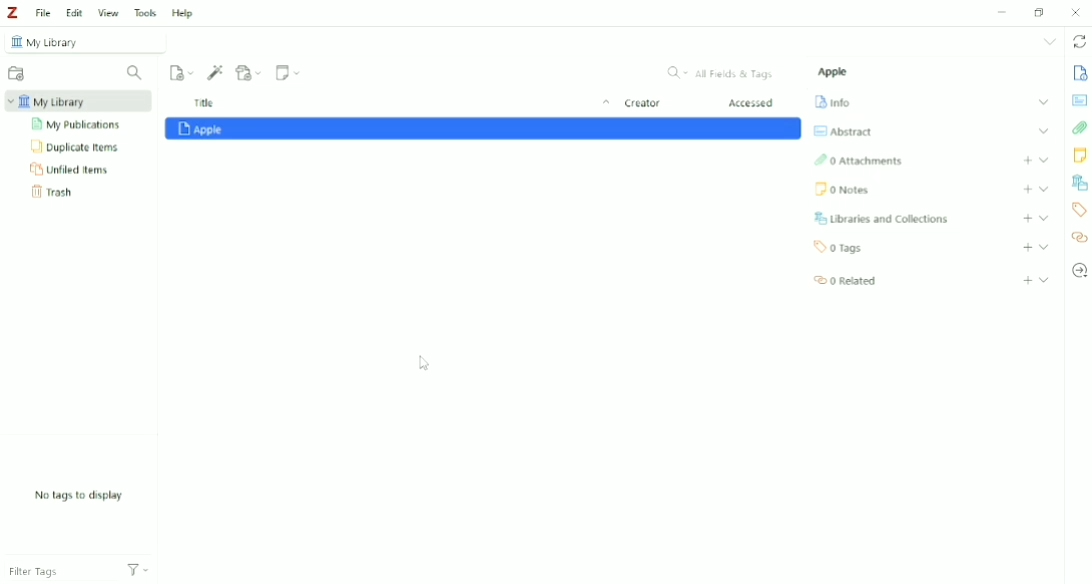 The width and height of the screenshot is (1092, 584). What do you see at coordinates (1027, 280) in the screenshot?
I see `Add` at bounding box center [1027, 280].